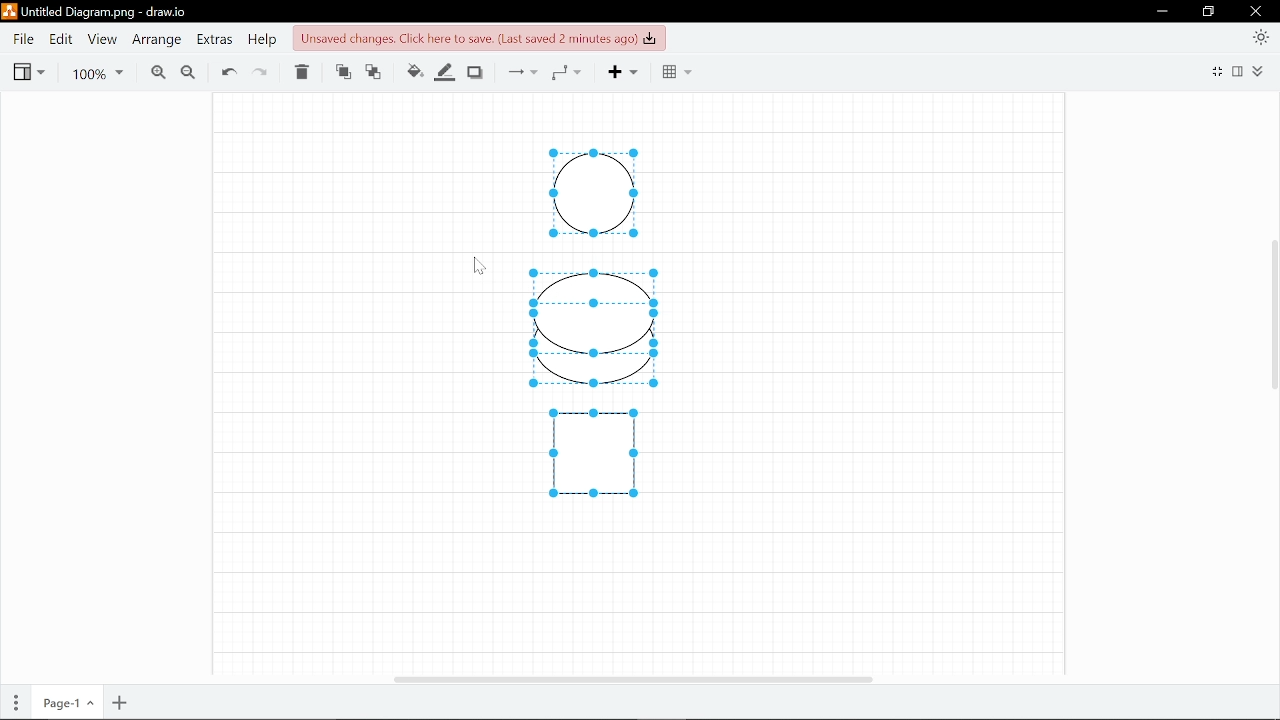  Describe the element at coordinates (214, 39) in the screenshot. I see `Extras` at that location.